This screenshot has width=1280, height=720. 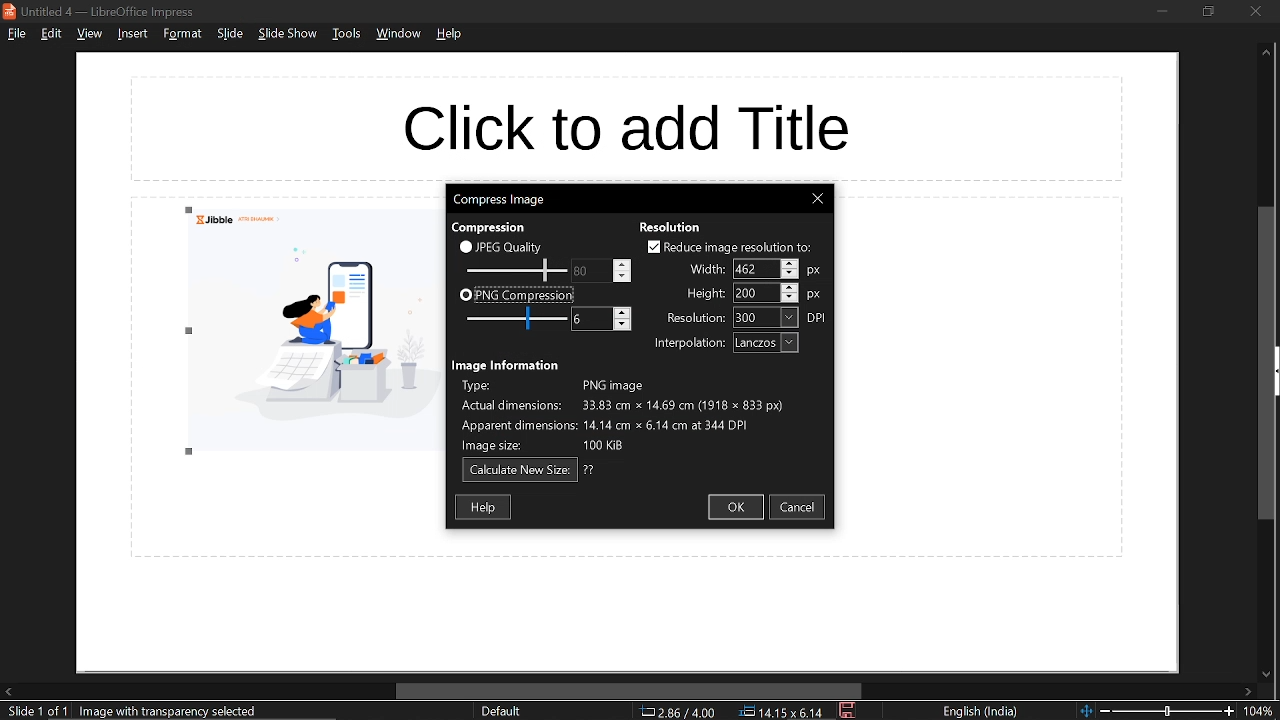 What do you see at coordinates (53, 33) in the screenshot?
I see `edit` at bounding box center [53, 33].